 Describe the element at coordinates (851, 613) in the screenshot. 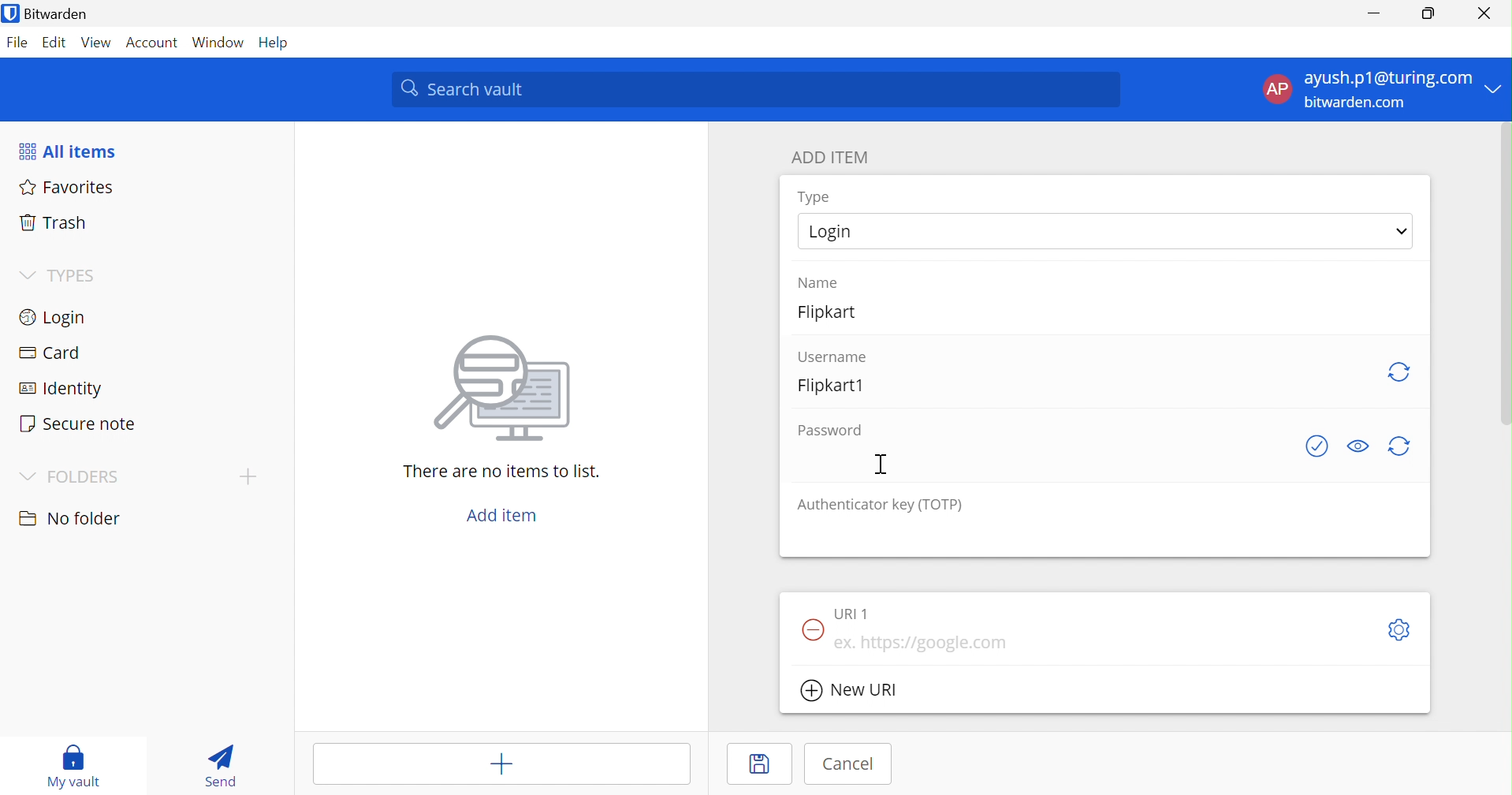

I see `URL 1` at that location.